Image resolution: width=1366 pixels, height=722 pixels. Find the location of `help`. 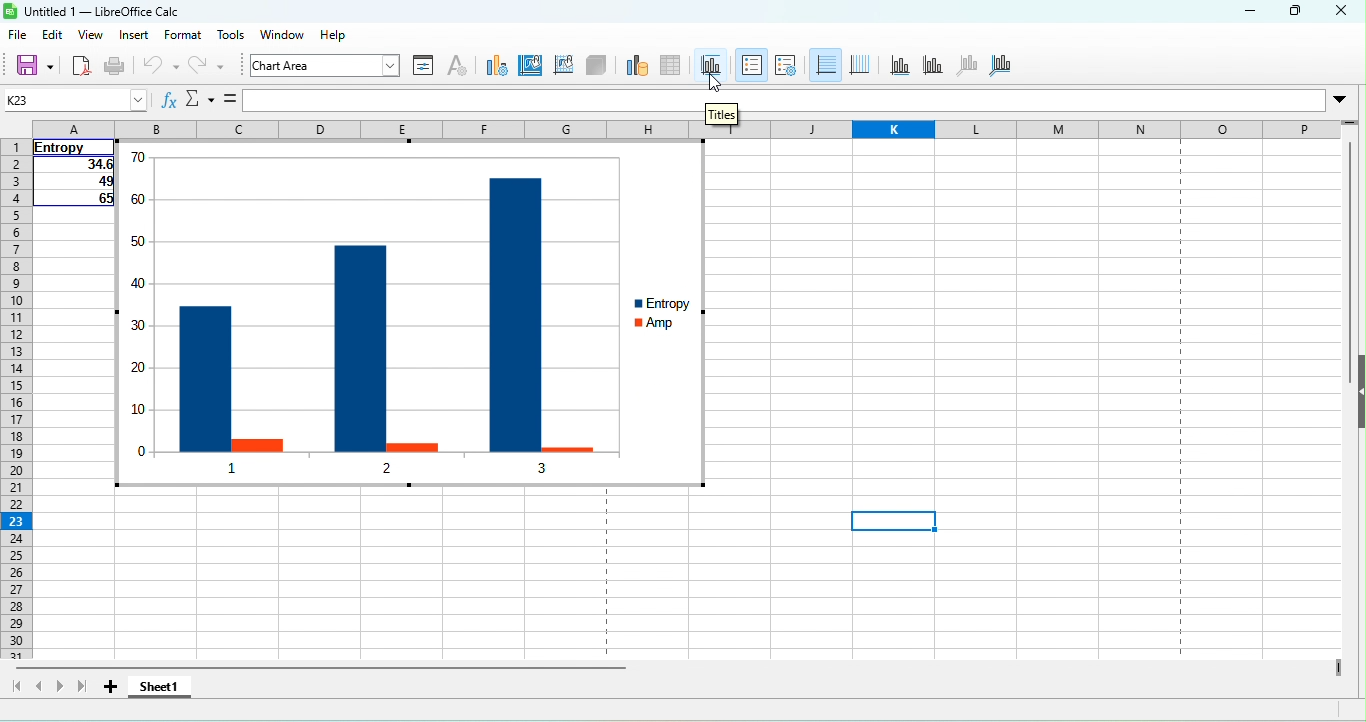

help is located at coordinates (333, 38).